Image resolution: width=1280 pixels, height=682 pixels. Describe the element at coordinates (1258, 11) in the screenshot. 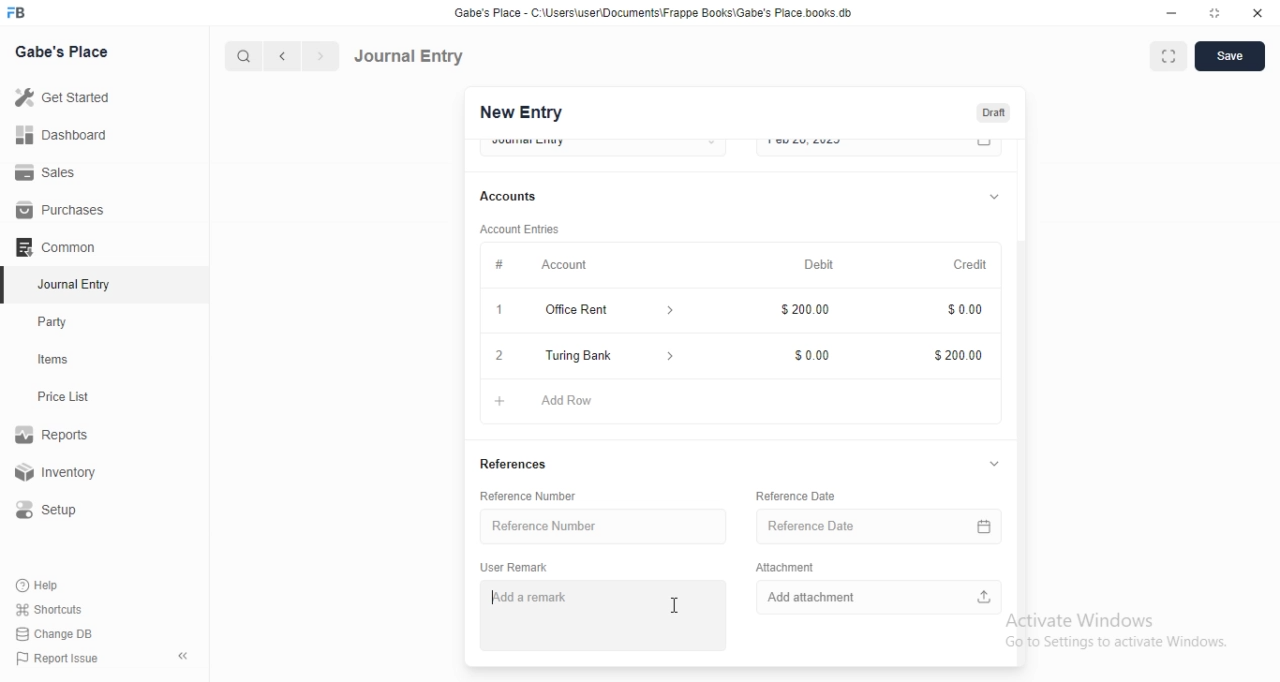

I see `close` at that location.